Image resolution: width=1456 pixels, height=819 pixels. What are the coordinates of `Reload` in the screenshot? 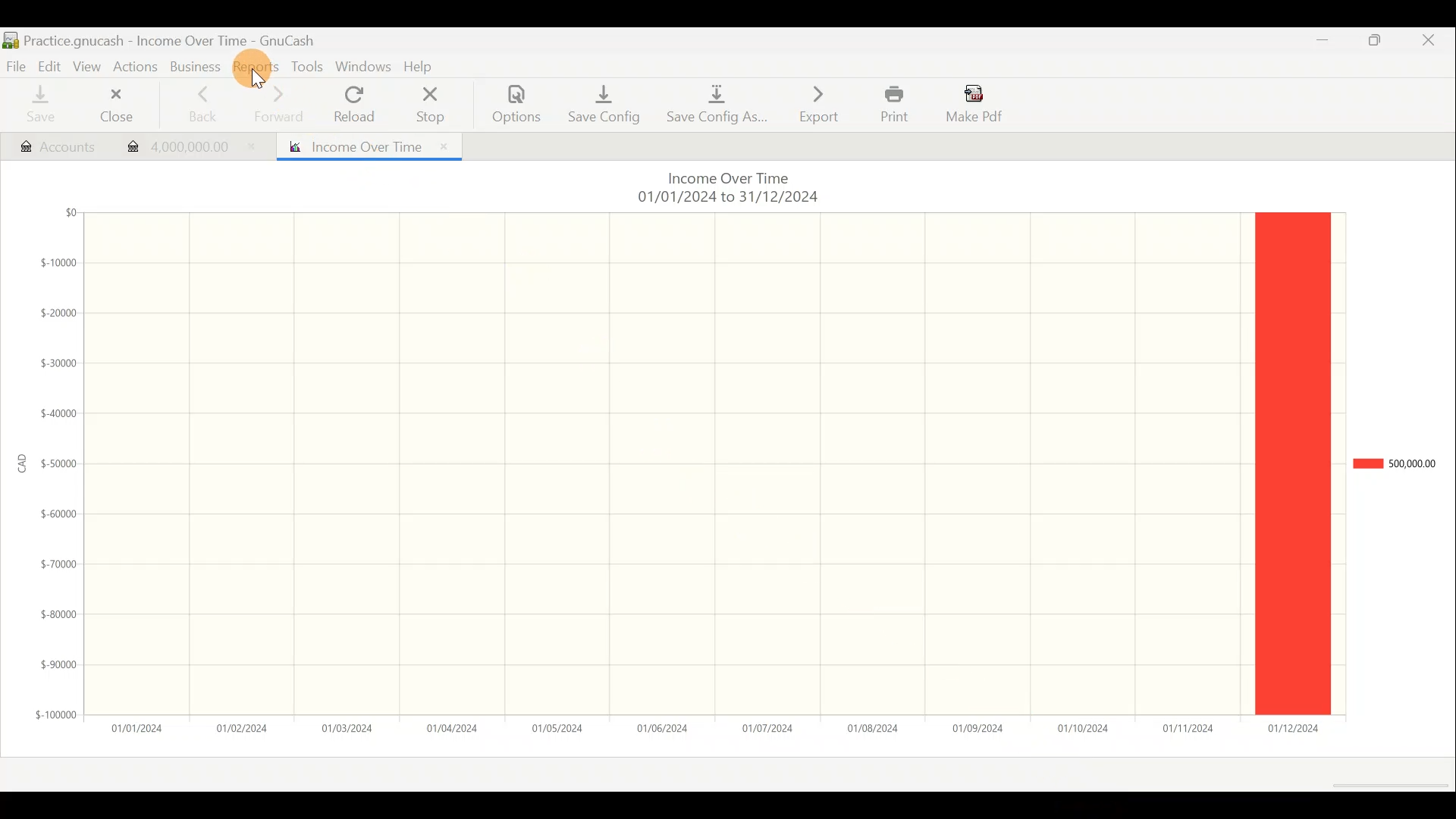 It's located at (357, 104).